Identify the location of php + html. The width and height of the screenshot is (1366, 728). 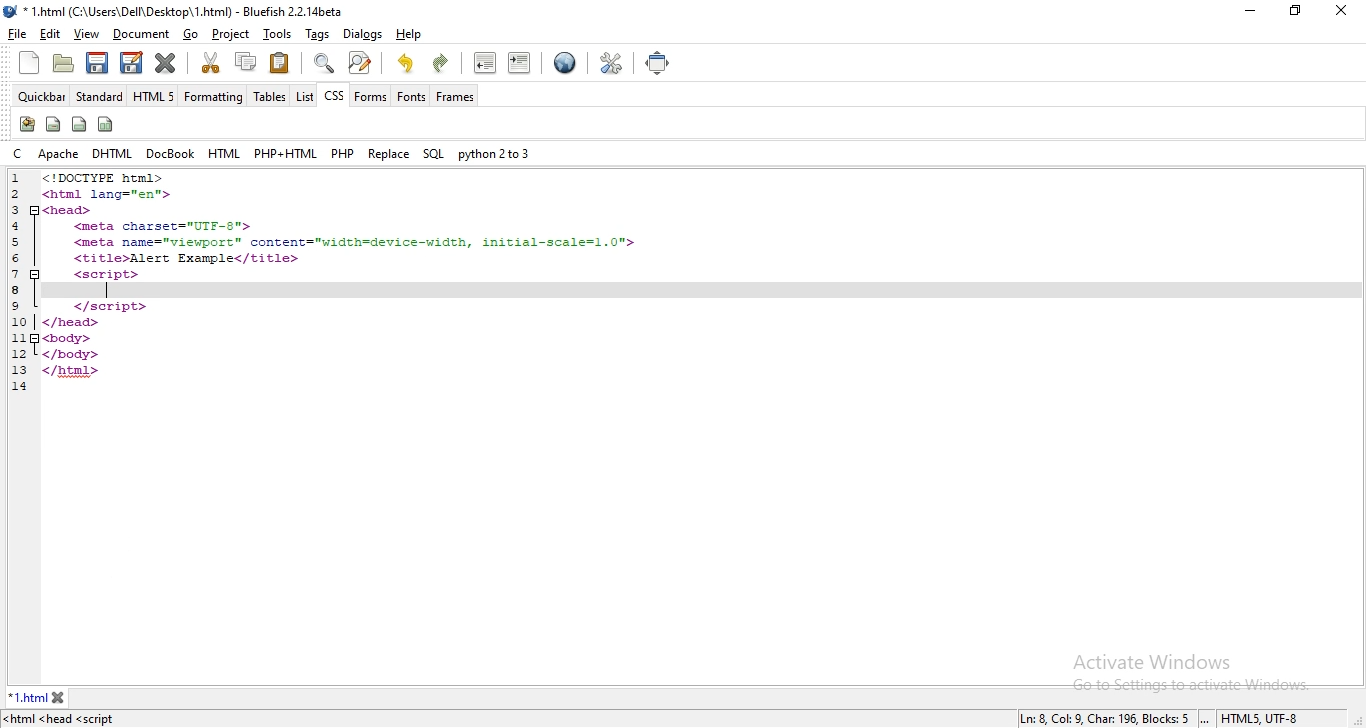
(284, 153).